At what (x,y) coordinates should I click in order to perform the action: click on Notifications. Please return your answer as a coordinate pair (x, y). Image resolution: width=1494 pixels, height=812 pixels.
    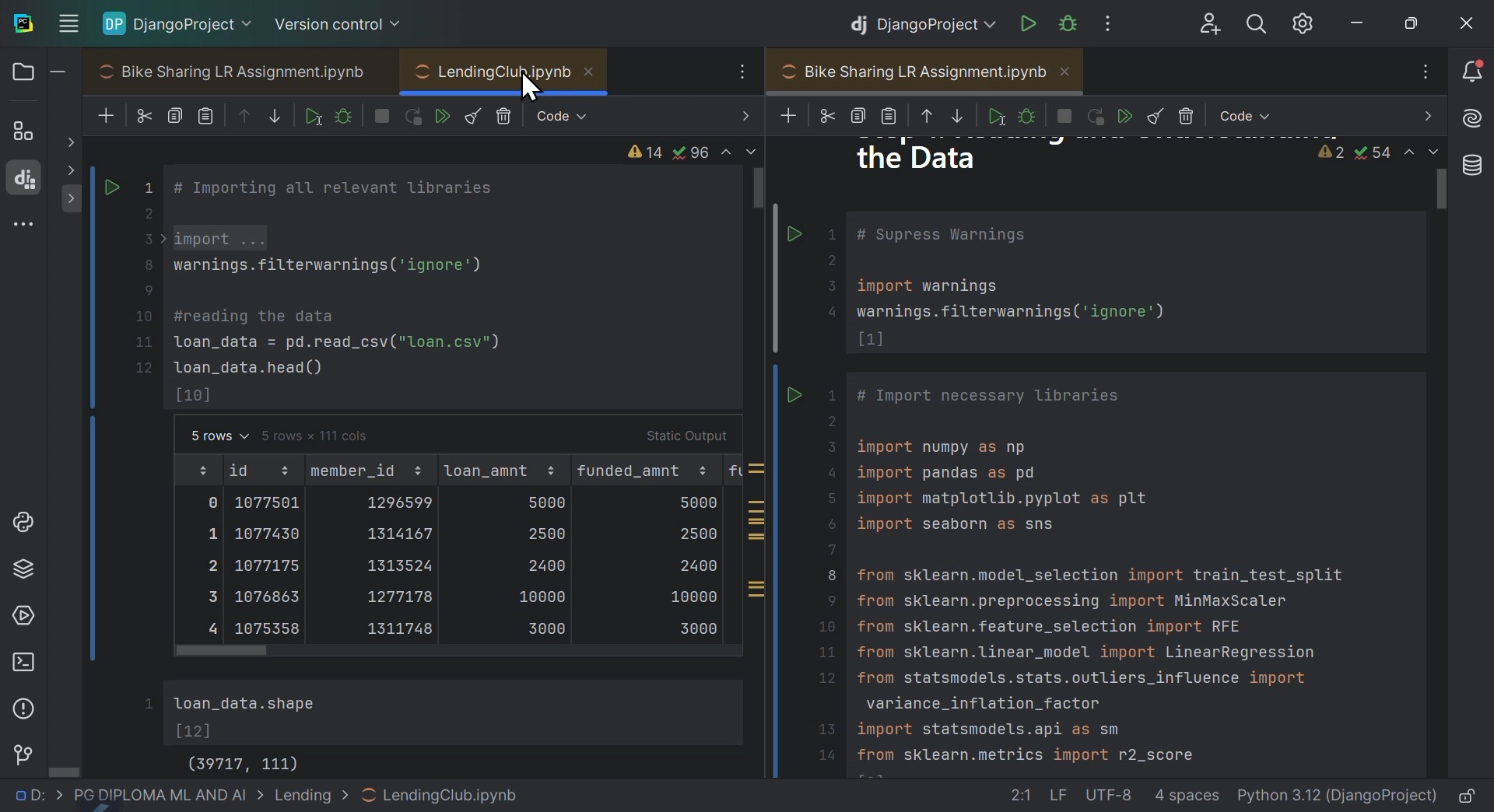
    Looking at the image, I should click on (1476, 73).